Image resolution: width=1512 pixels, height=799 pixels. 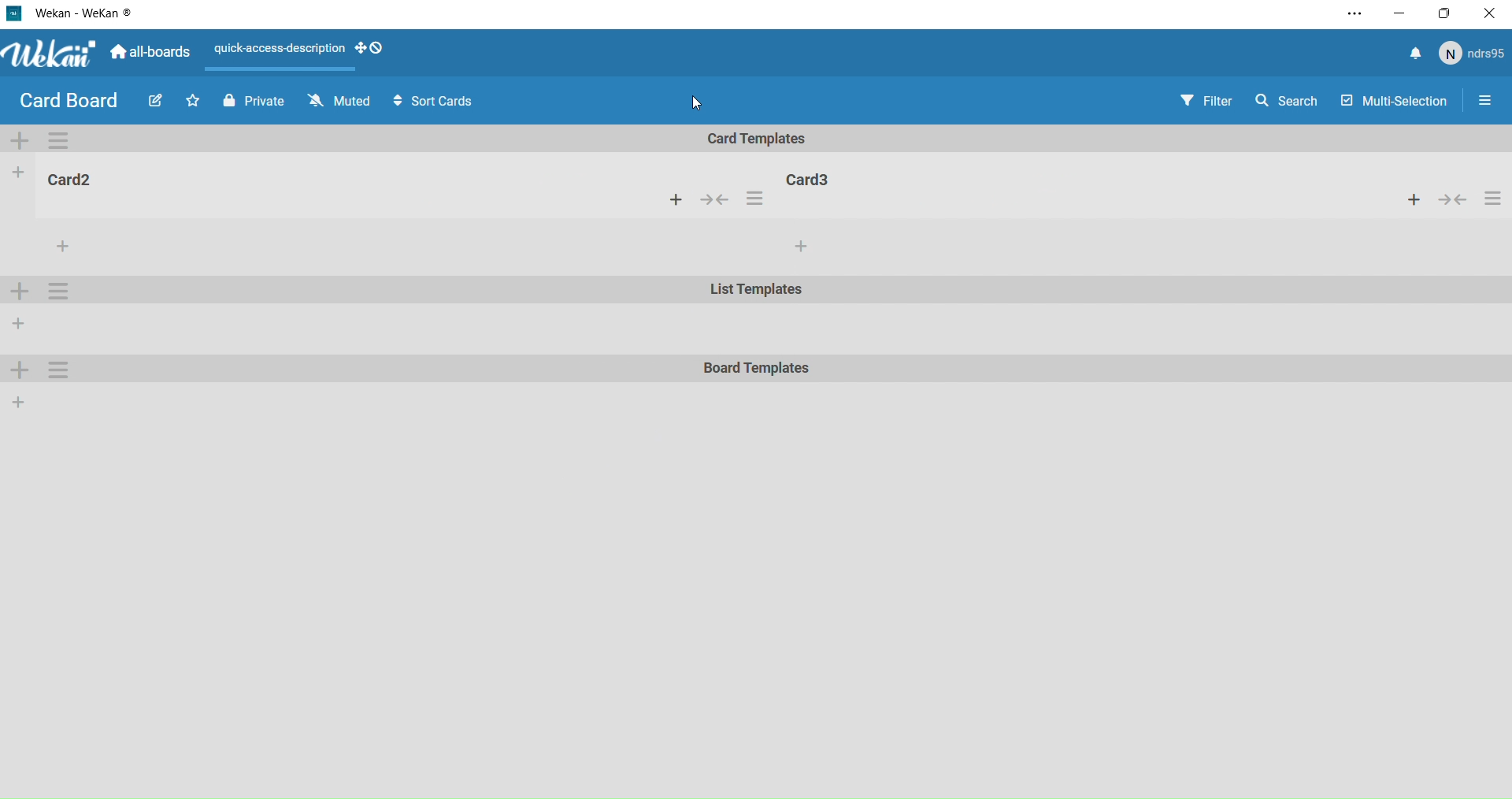 I want to click on List templates, so click(x=754, y=292).